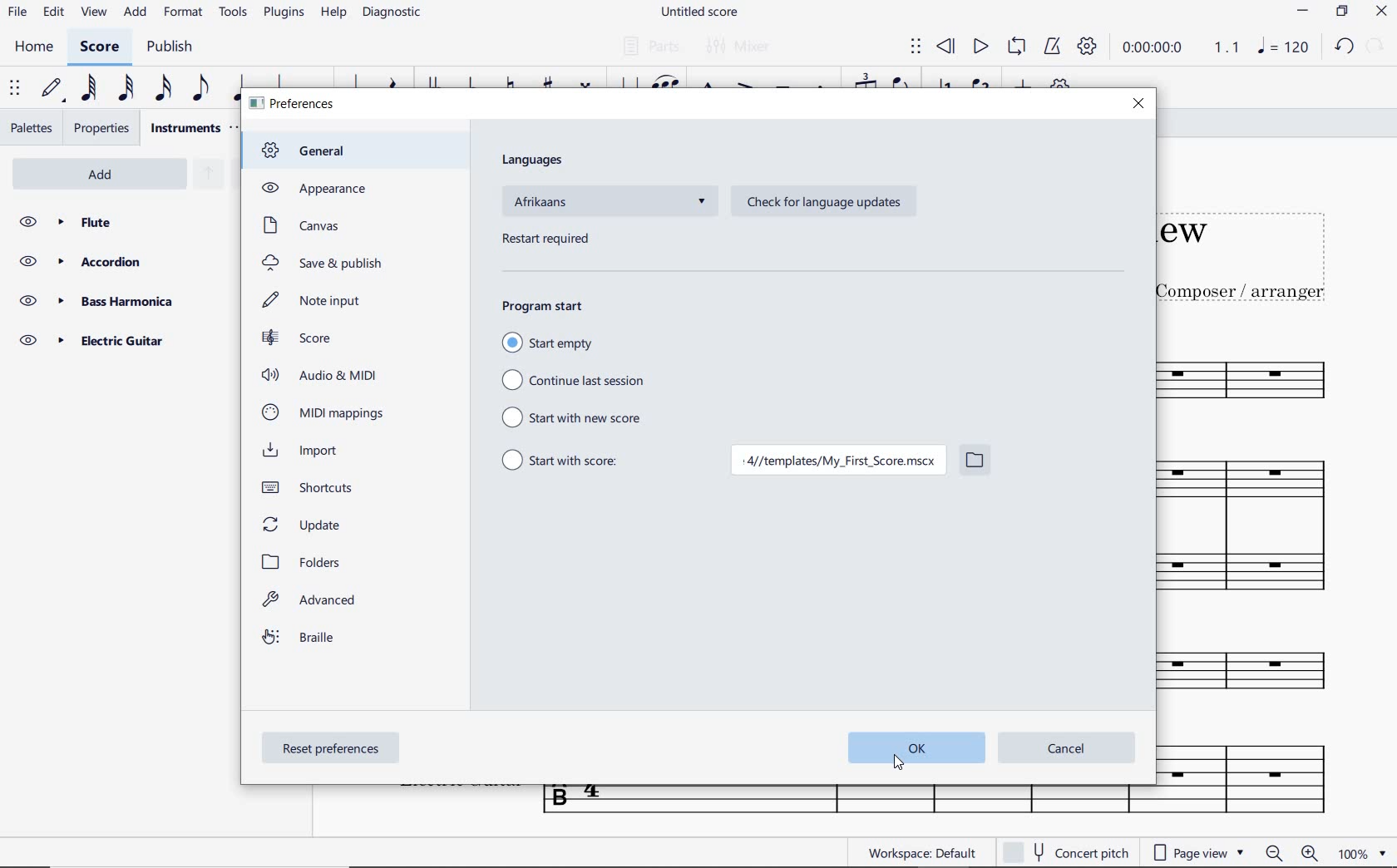 The height and width of the screenshot is (868, 1397). What do you see at coordinates (911, 748) in the screenshot?
I see `ok` at bounding box center [911, 748].